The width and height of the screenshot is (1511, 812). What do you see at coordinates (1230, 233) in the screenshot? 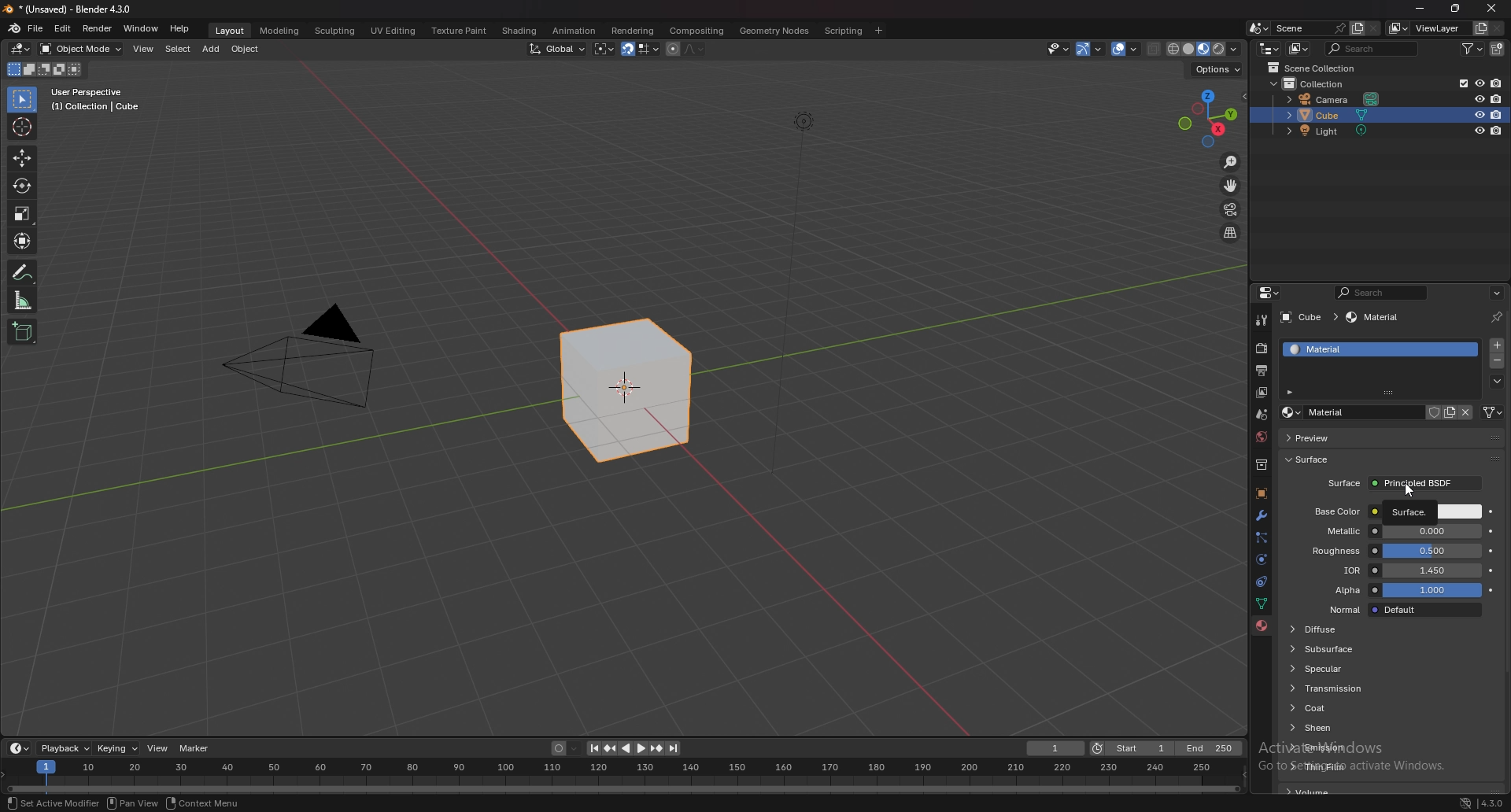
I see `perspective/orthographic mode` at bounding box center [1230, 233].